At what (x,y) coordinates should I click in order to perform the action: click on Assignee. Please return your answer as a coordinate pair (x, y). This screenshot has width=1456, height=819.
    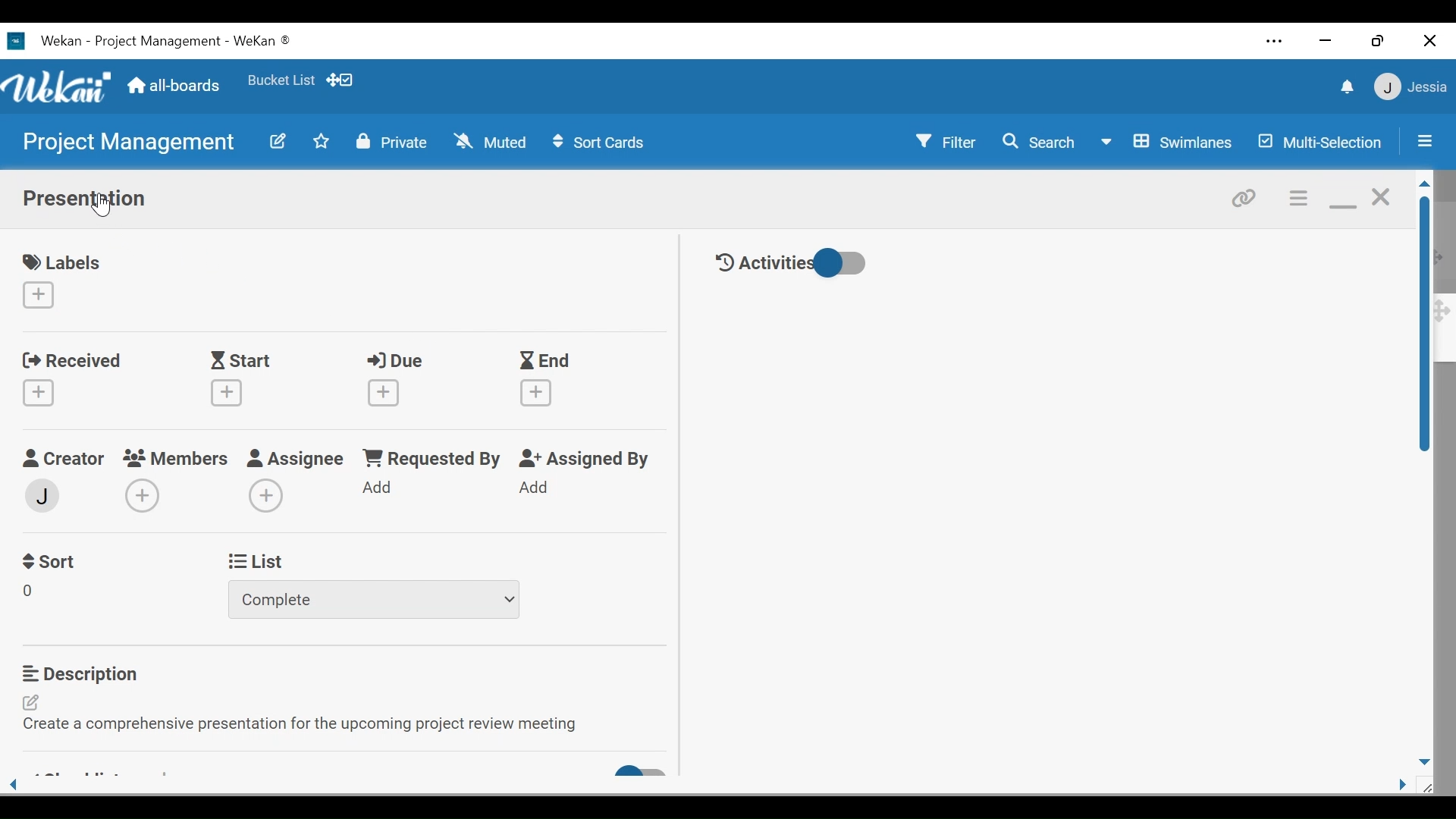
    Looking at the image, I should click on (297, 458).